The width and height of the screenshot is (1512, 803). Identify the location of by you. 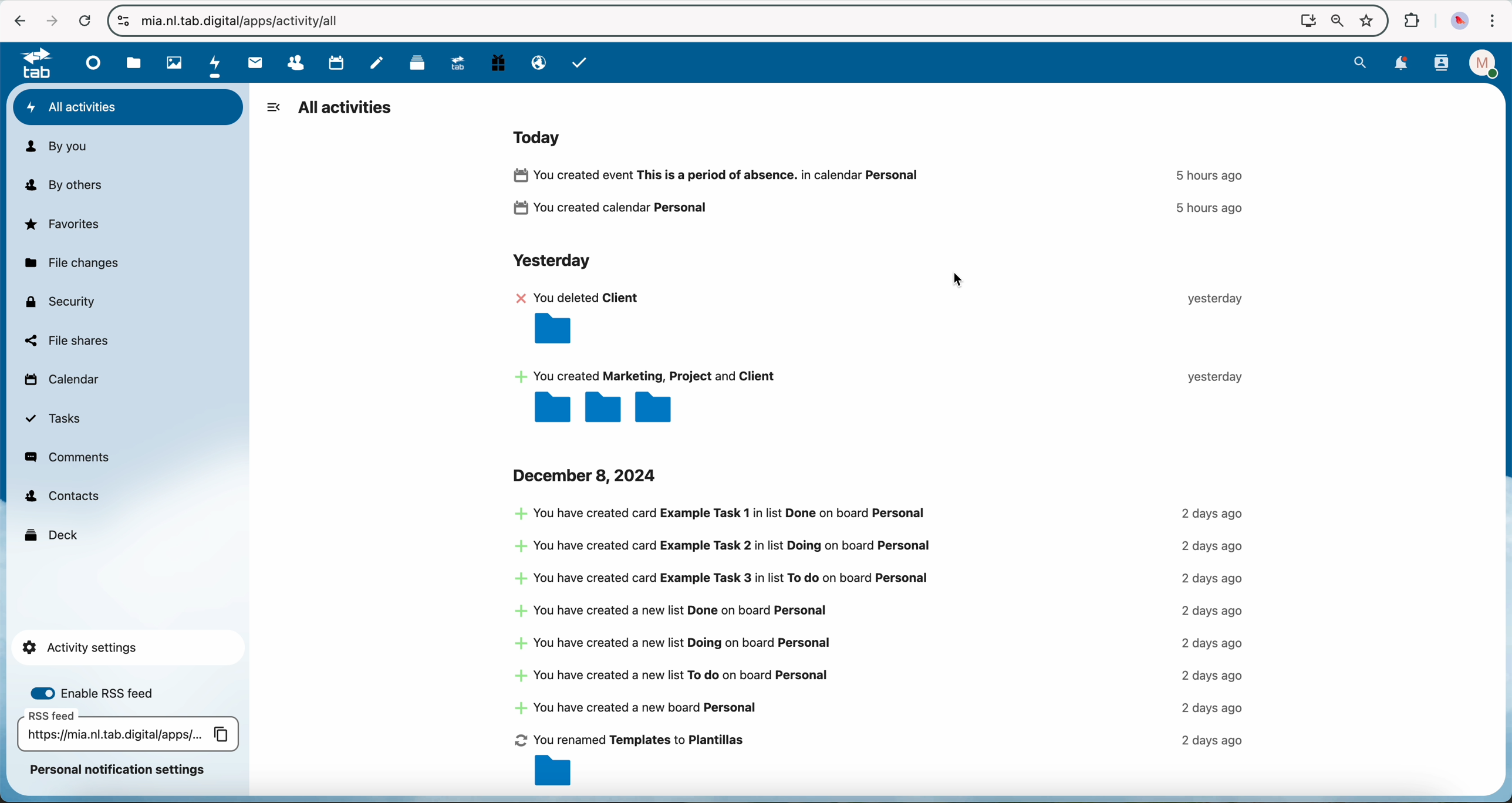
(56, 147).